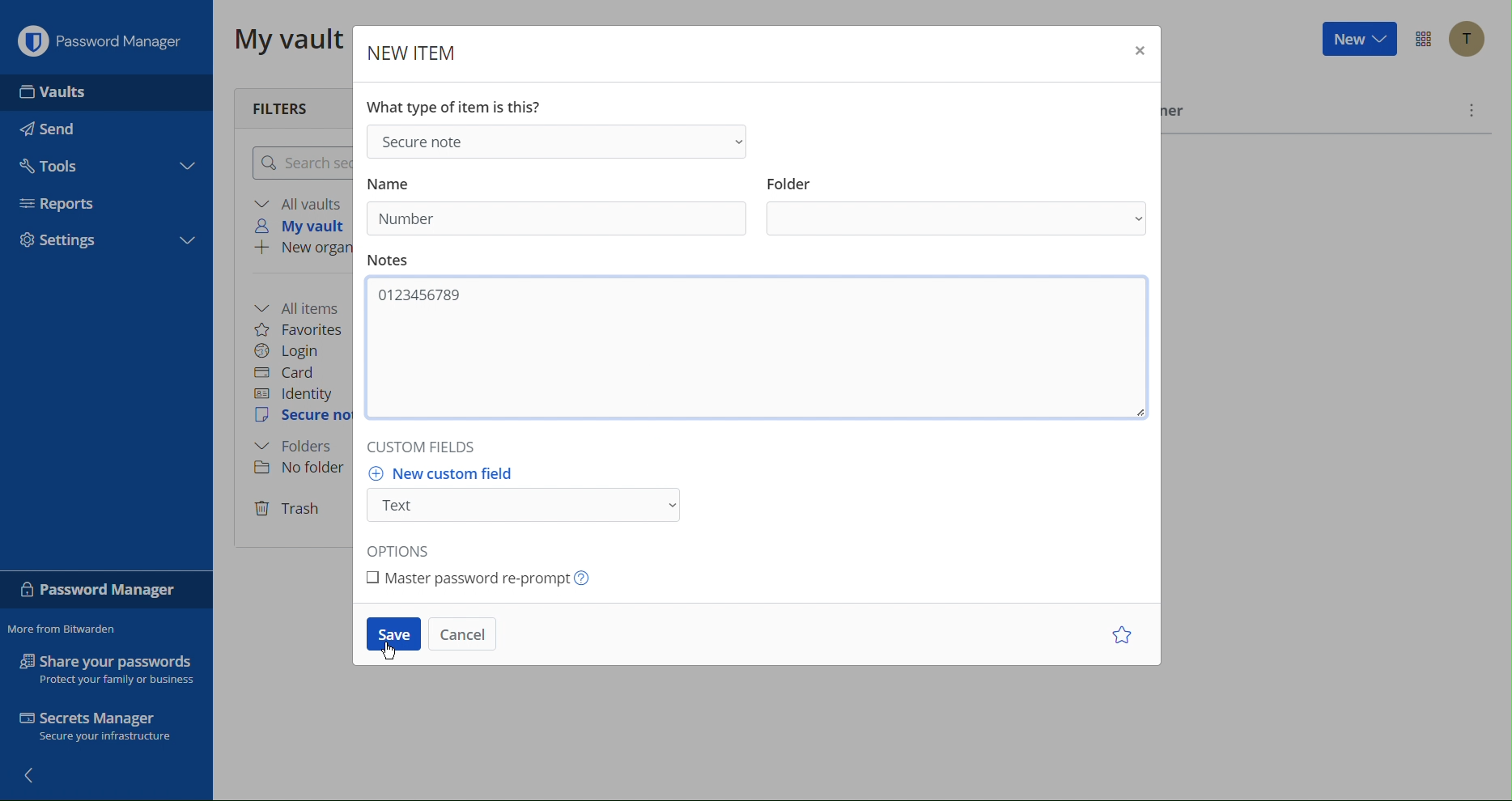 Image resolution: width=1512 pixels, height=801 pixels. What do you see at coordinates (304, 306) in the screenshot?
I see `All items` at bounding box center [304, 306].